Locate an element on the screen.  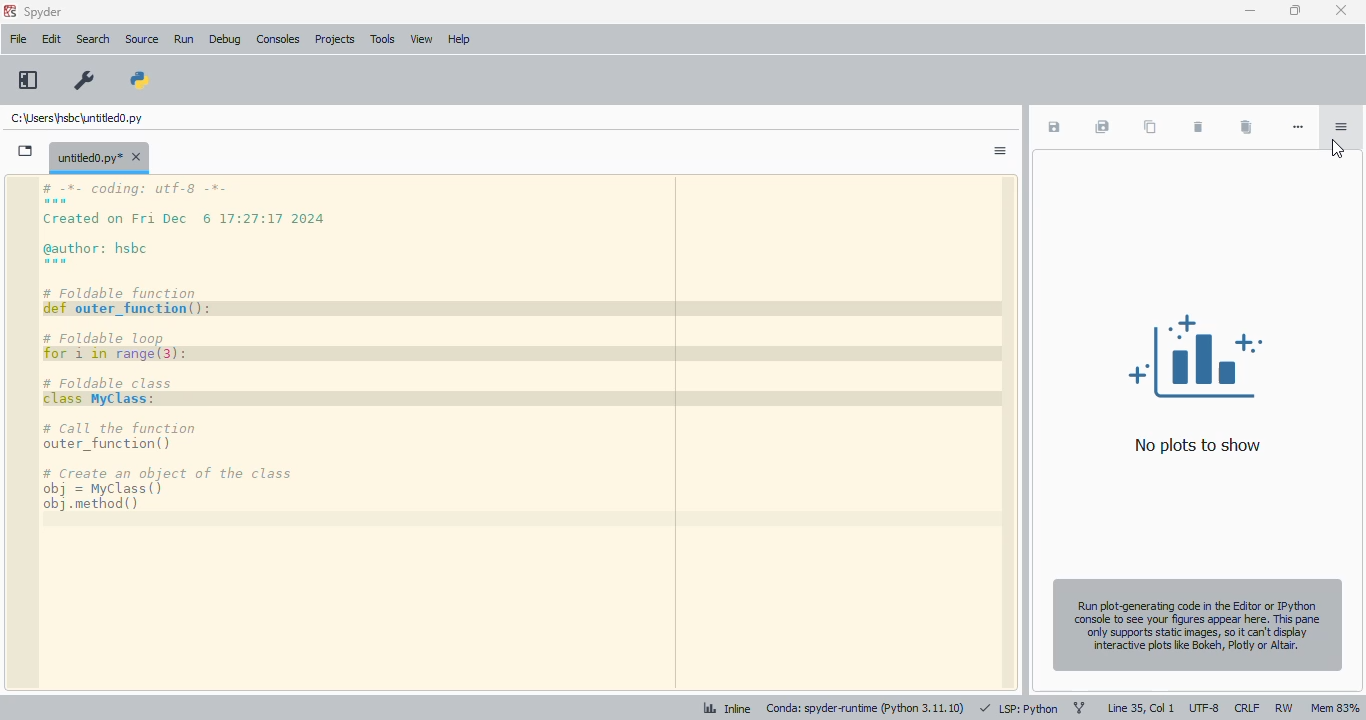
spyder is located at coordinates (44, 12).